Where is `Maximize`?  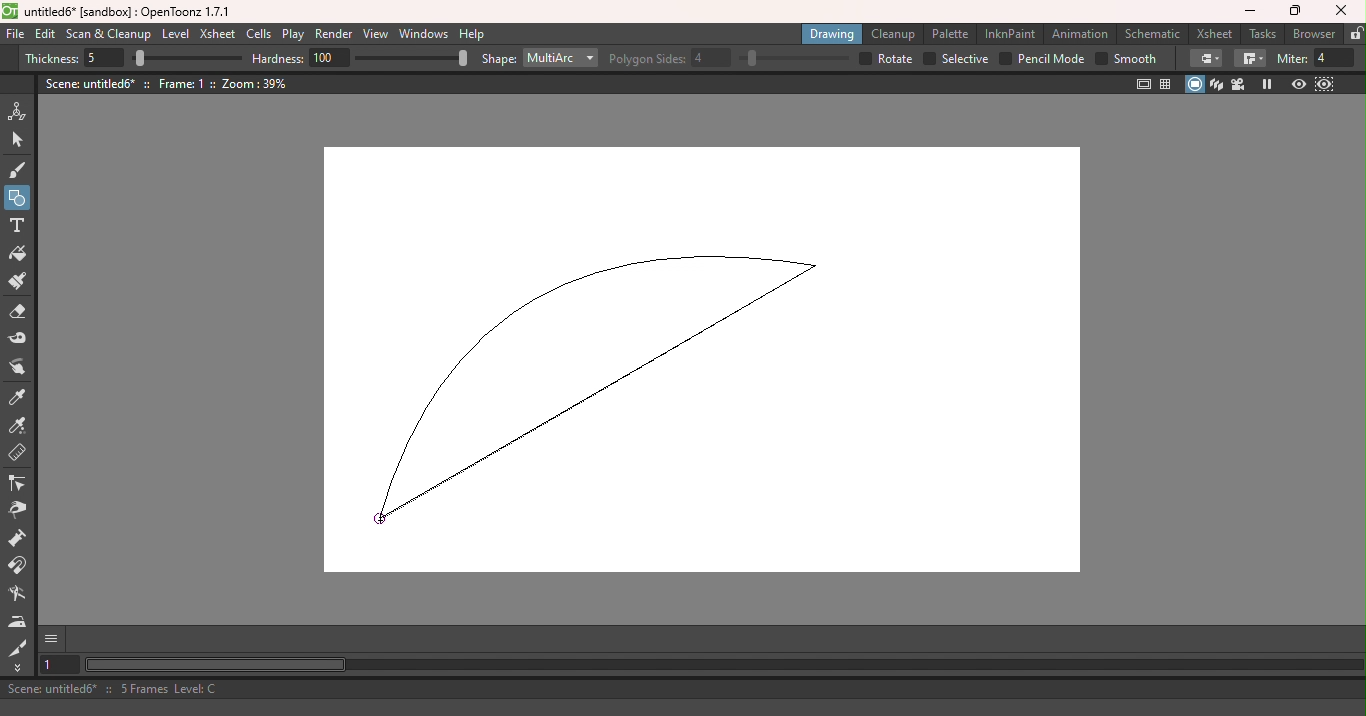
Maximize is located at coordinates (1292, 13).